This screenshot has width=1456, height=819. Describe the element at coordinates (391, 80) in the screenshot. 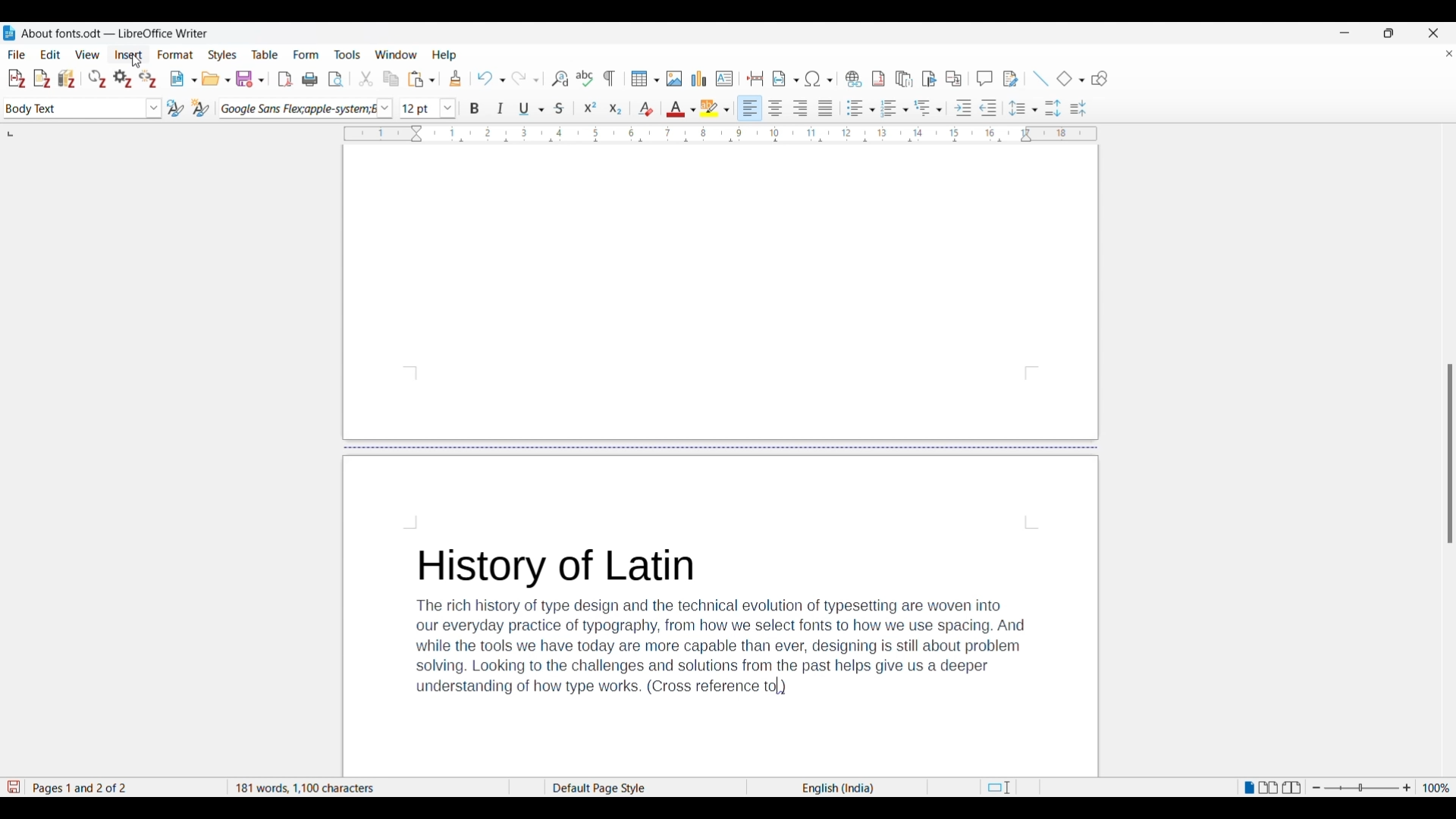

I see `Copy` at that location.